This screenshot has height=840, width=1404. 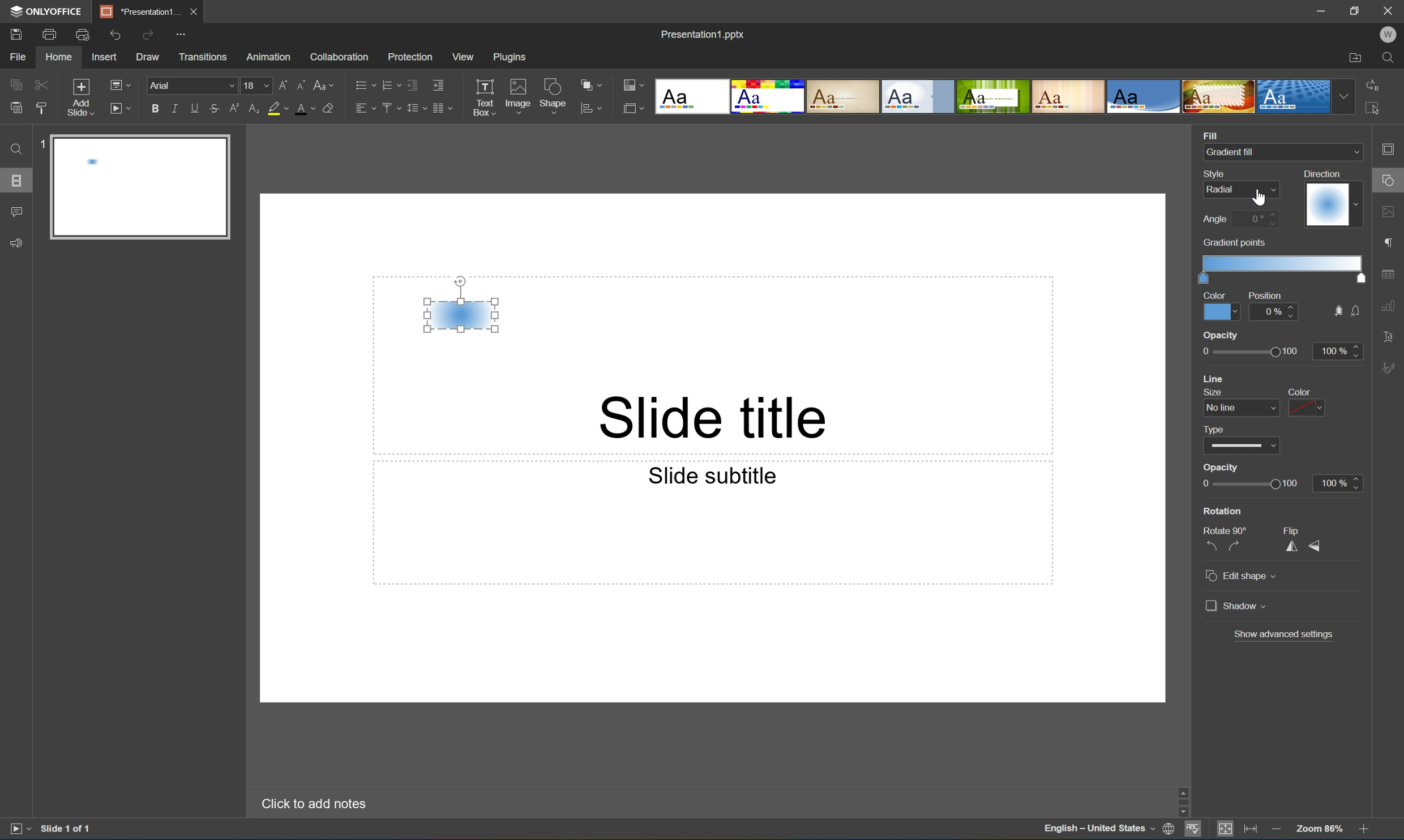 I want to click on Position, so click(x=1264, y=295).